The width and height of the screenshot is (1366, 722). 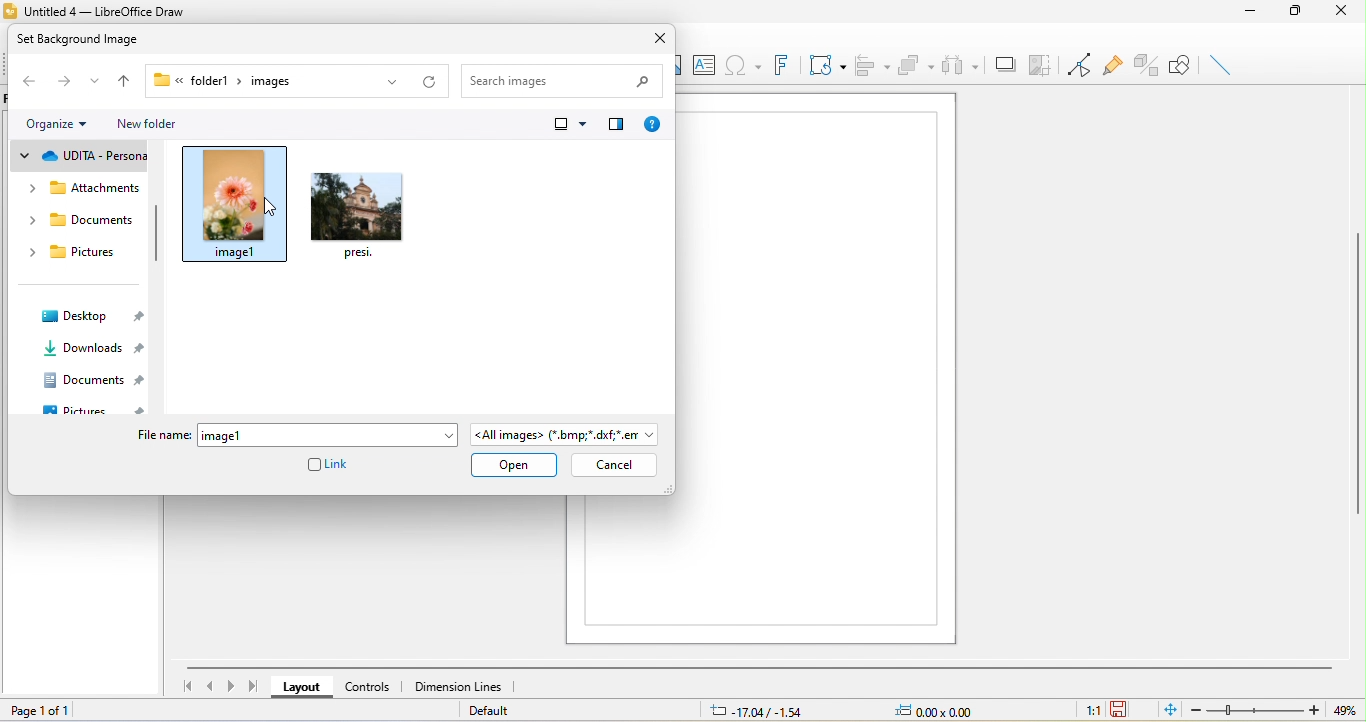 What do you see at coordinates (762, 709) in the screenshot?
I see `-17.04/-1.54` at bounding box center [762, 709].